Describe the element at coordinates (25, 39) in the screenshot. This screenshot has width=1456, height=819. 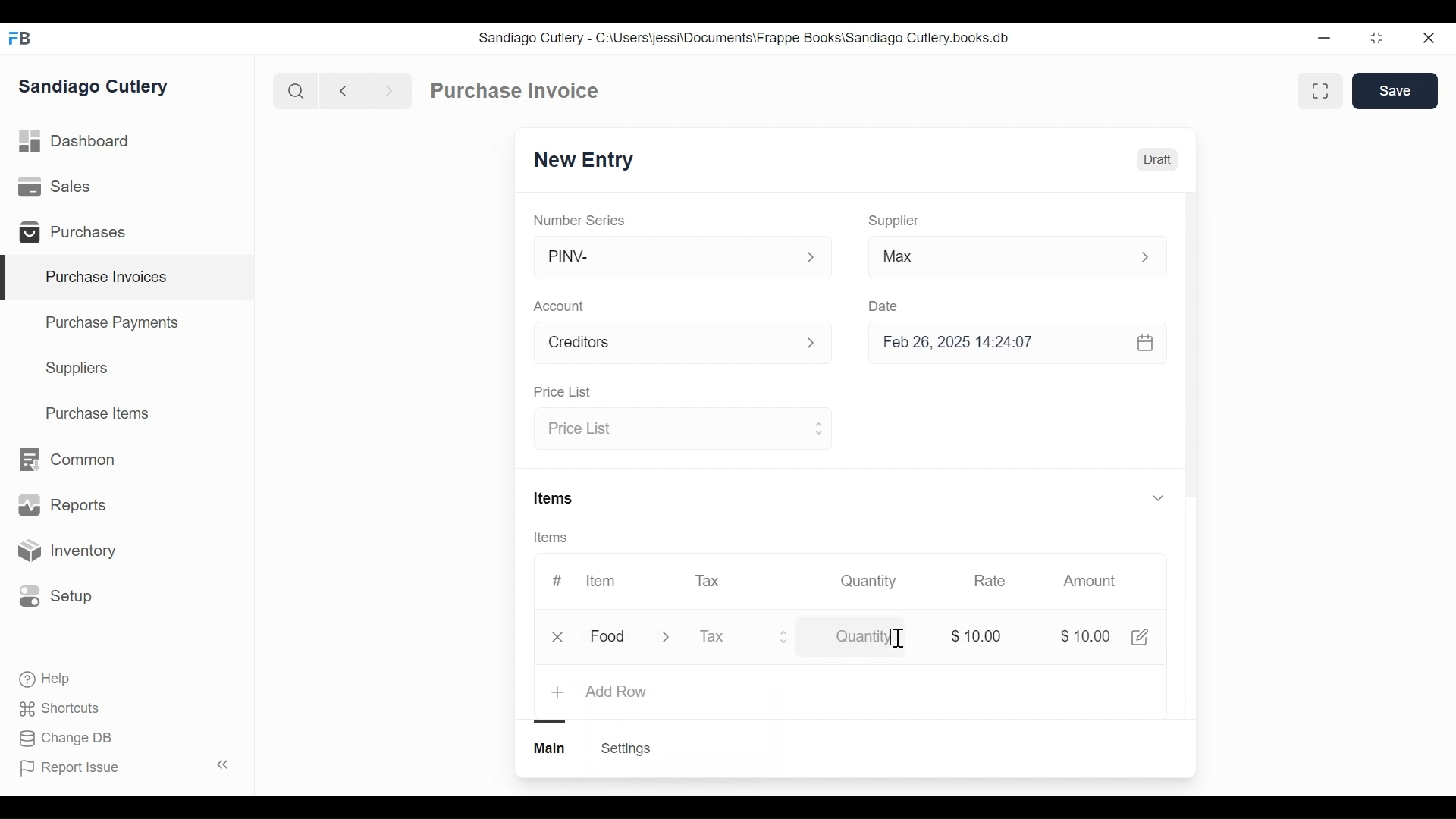
I see `Frappe Books Desktop icon` at that location.